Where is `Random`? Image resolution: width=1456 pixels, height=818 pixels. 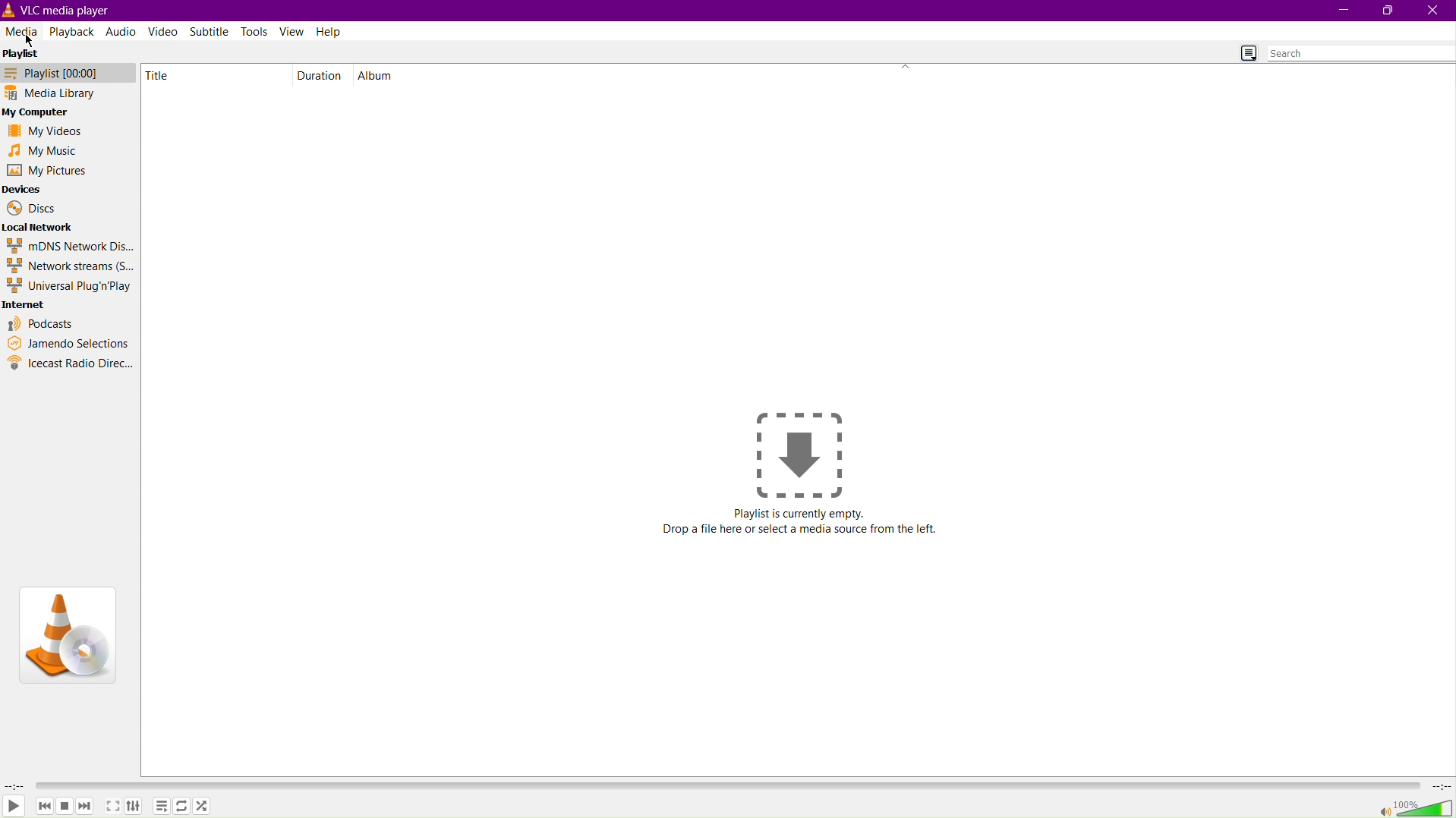 Random is located at coordinates (206, 807).